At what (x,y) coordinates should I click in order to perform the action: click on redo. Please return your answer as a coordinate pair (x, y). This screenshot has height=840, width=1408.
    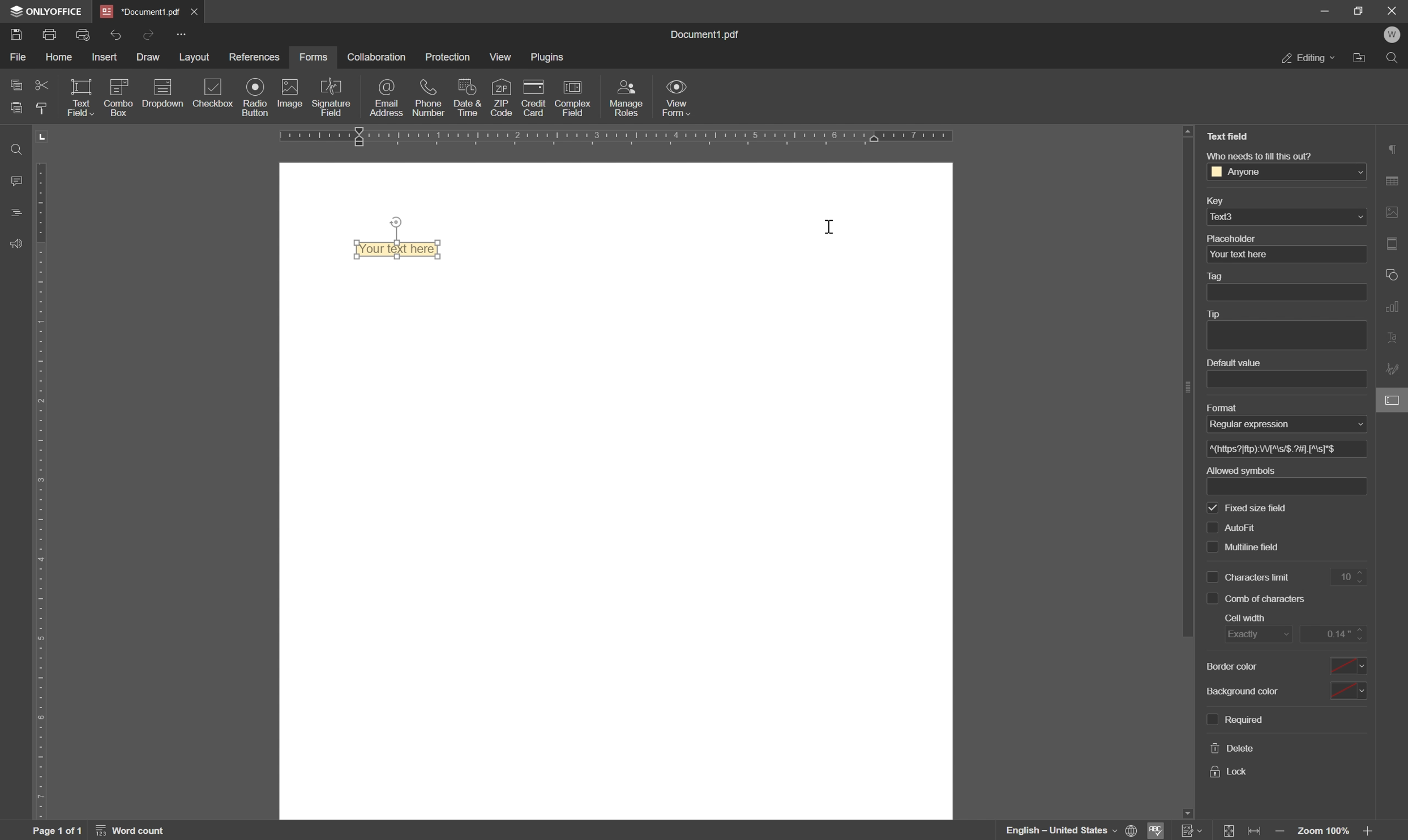
    Looking at the image, I should click on (149, 33).